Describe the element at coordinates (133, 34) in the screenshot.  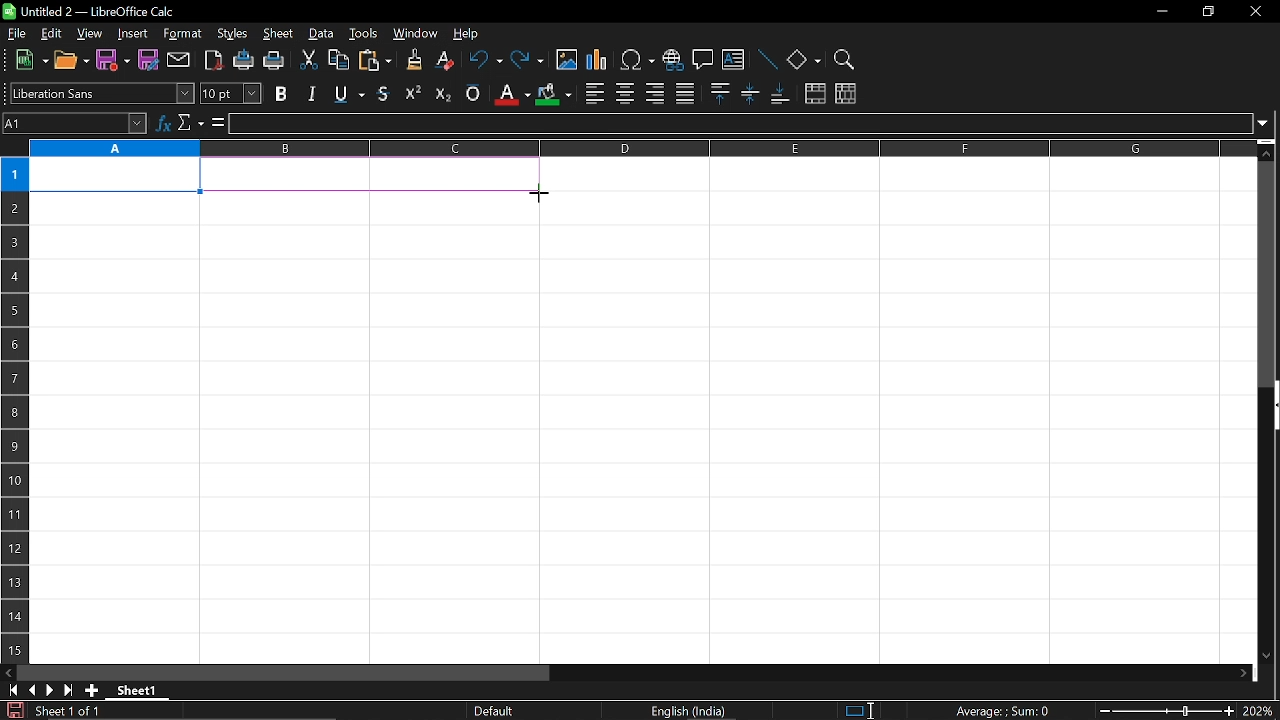
I see `insert` at that location.